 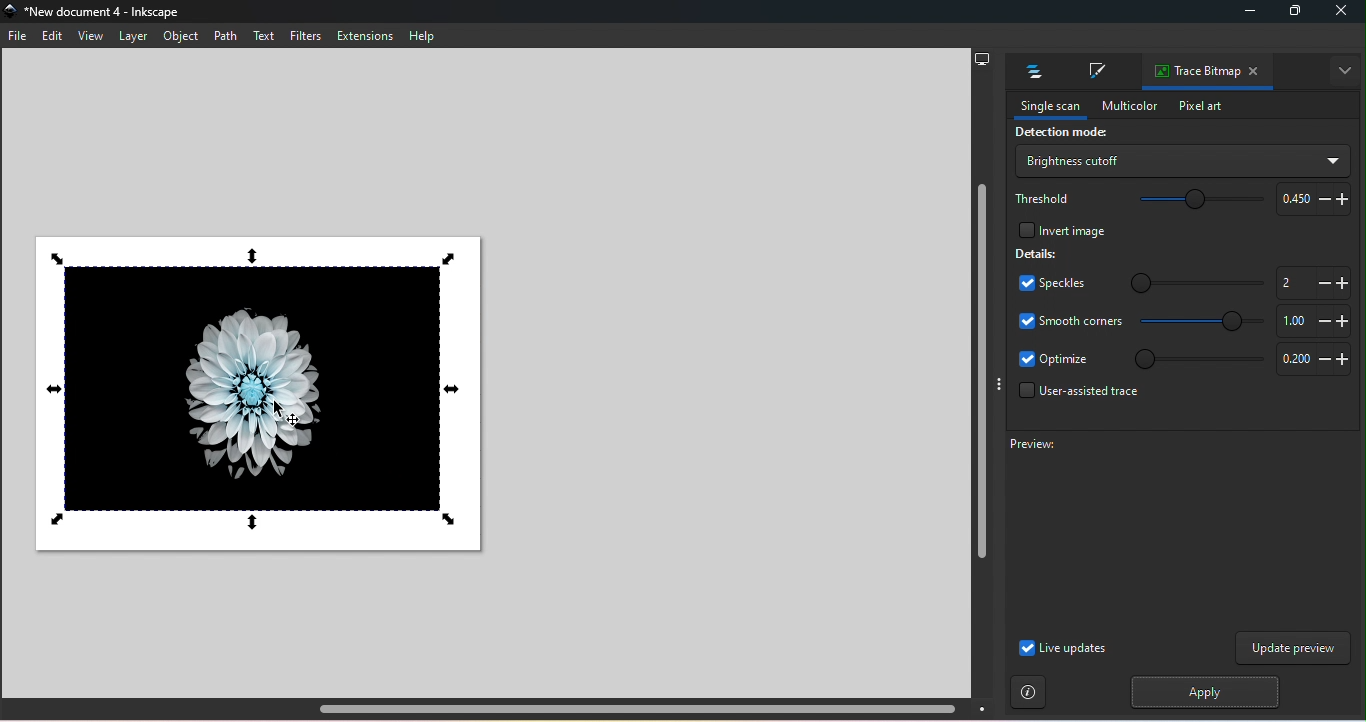 I want to click on Extensions, so click(x=367, y=36).